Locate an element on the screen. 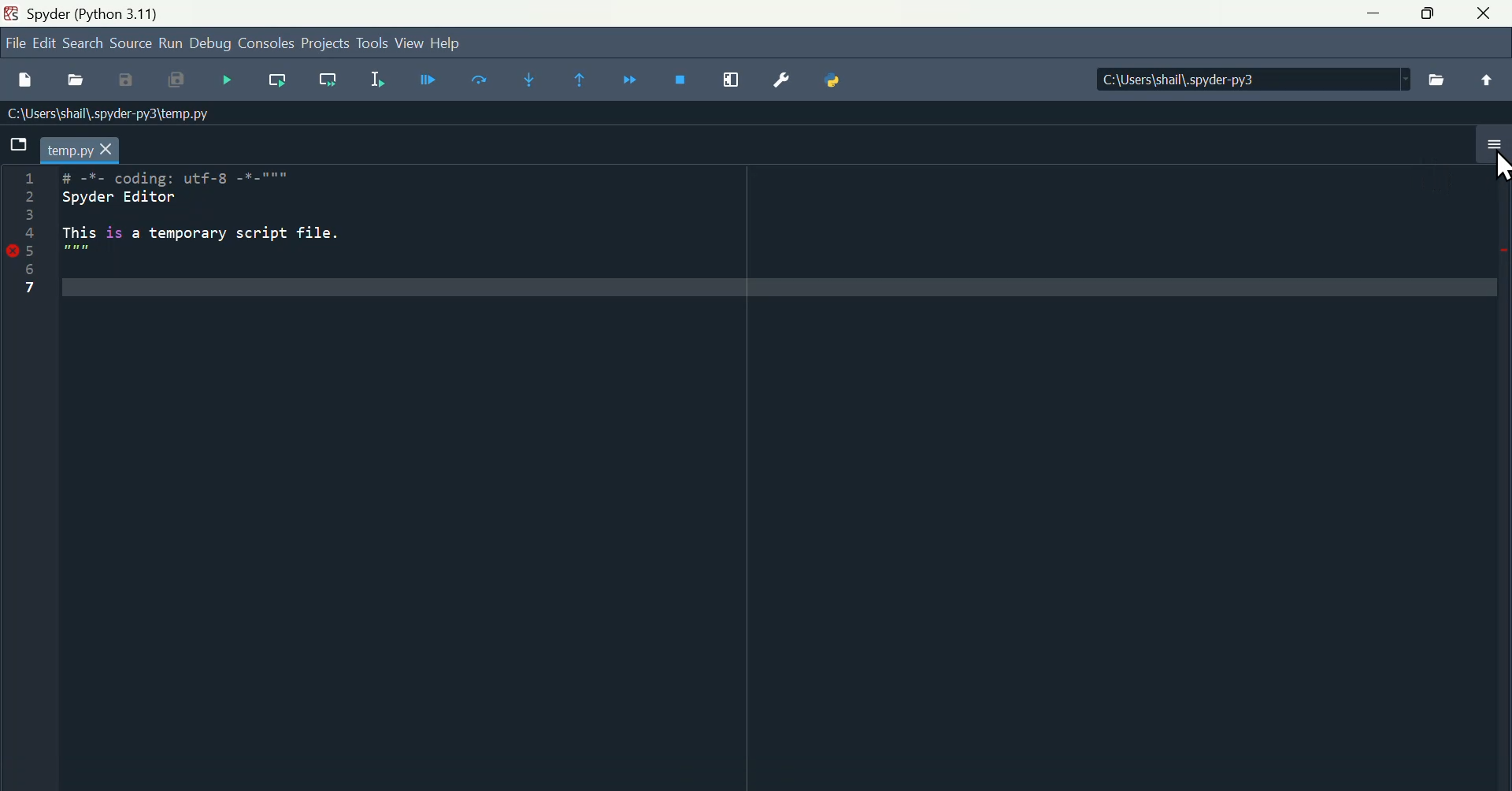  Maximise current window is located at coordinates (733, 84).